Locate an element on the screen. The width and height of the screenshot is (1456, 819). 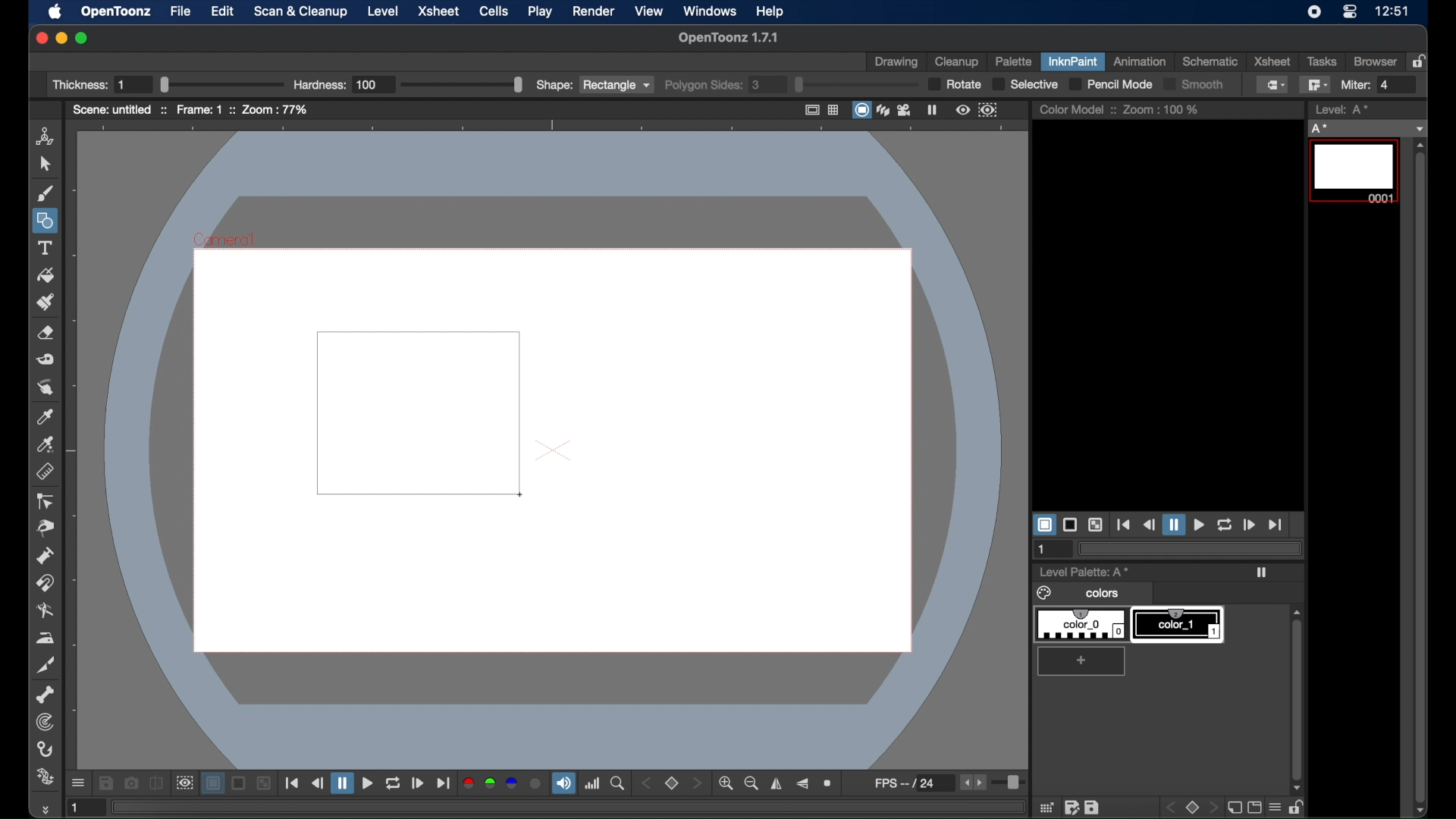
compare to snapshot is located at coordinates (156, 783).